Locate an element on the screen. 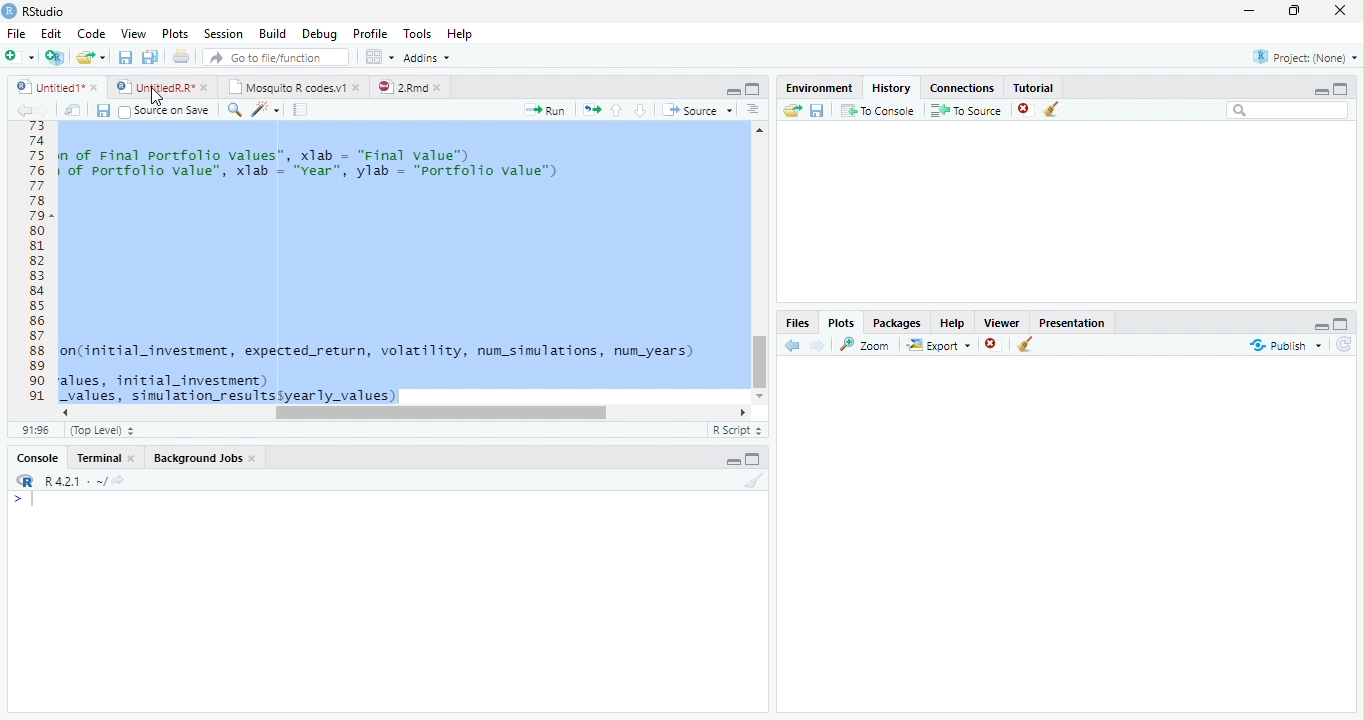  View is located at coordinates (132, 32).